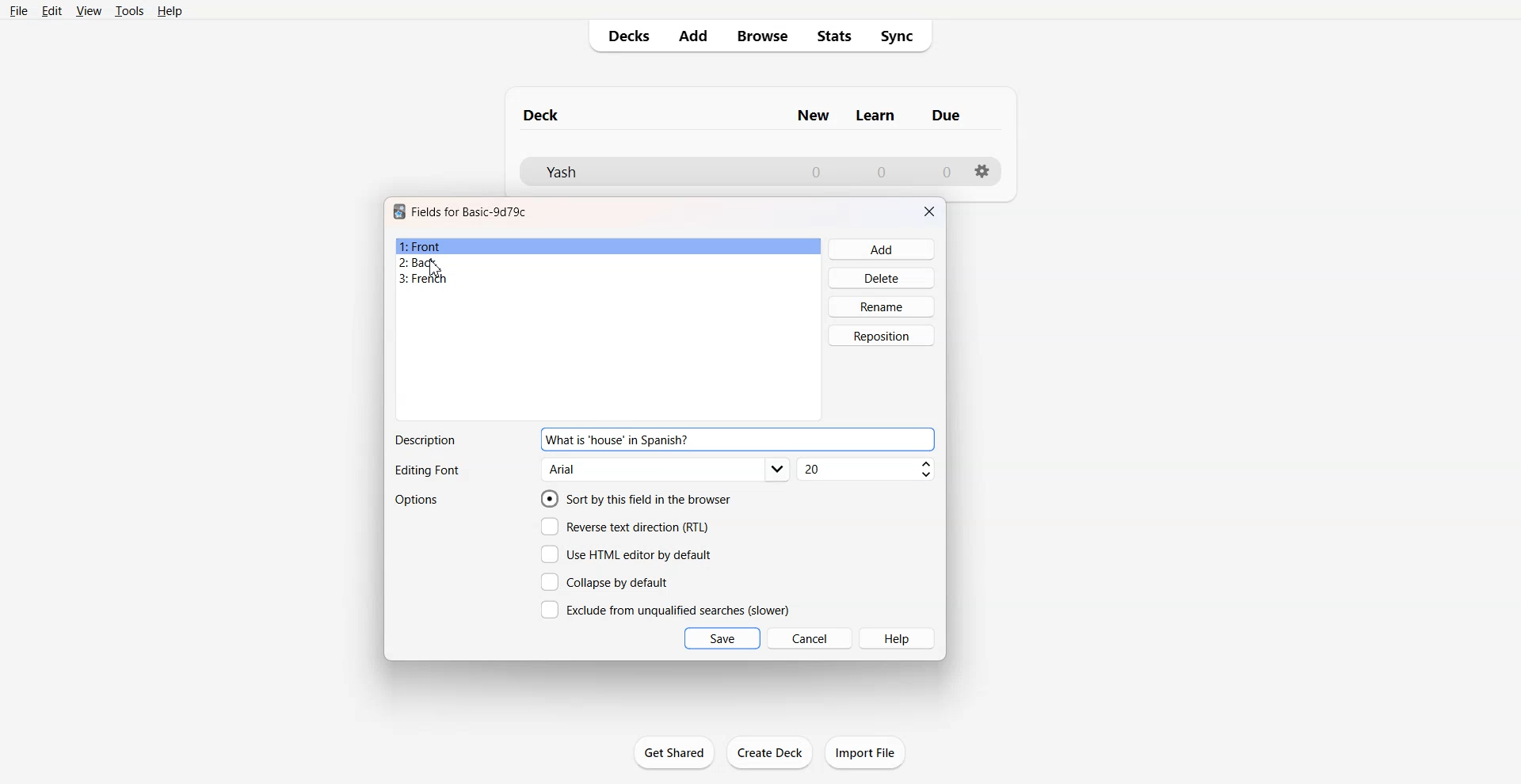 This screenshot has width=1521, height=784. I want to click on Text, so click(425, 440).